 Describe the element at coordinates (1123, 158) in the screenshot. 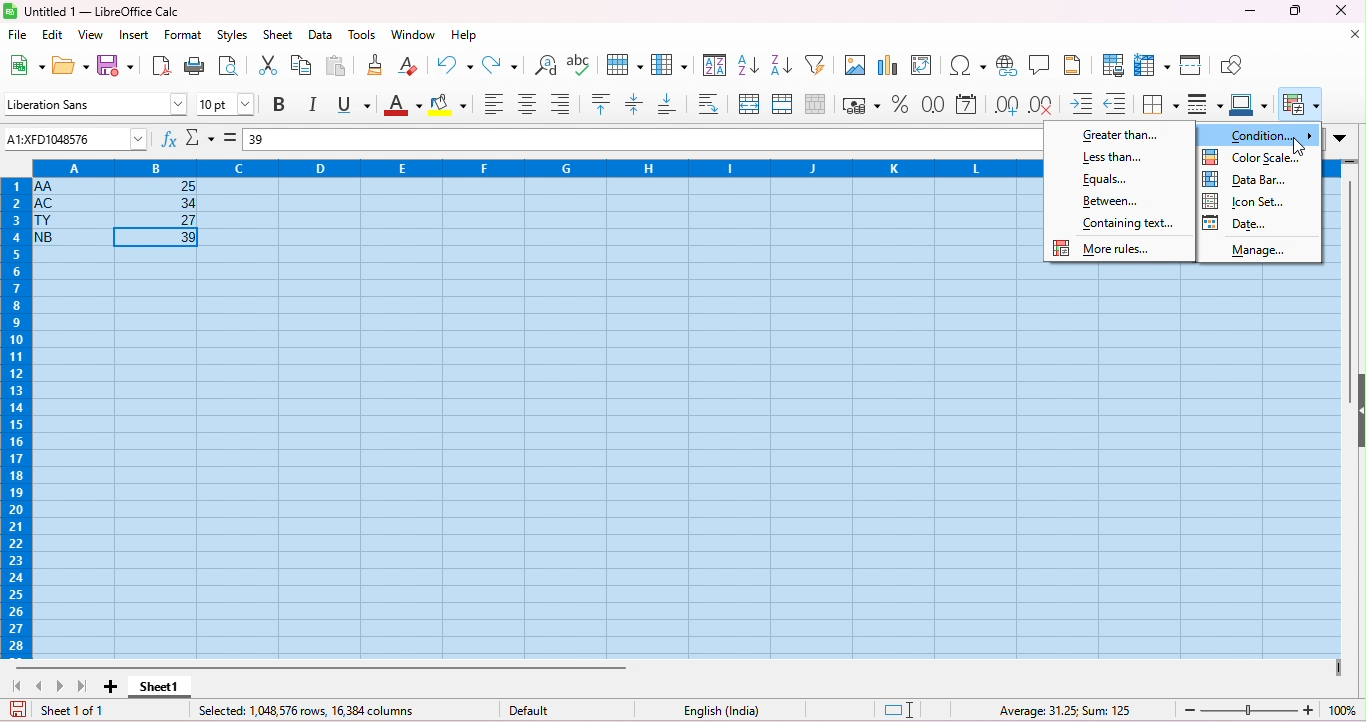

I see `less than` at that location.